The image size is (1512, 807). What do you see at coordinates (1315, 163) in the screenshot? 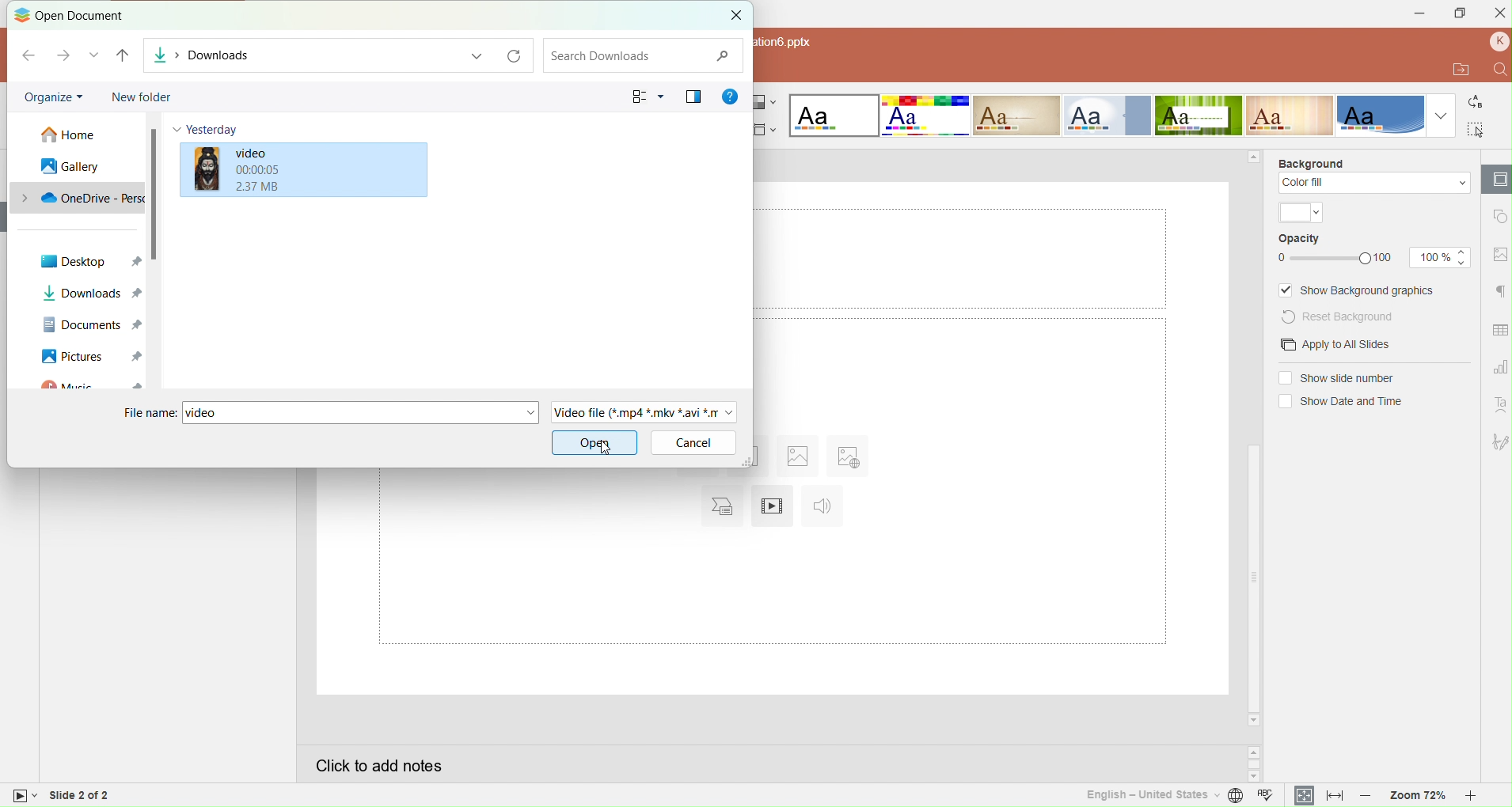
I see `Background` at bounding box center [1315, 163].